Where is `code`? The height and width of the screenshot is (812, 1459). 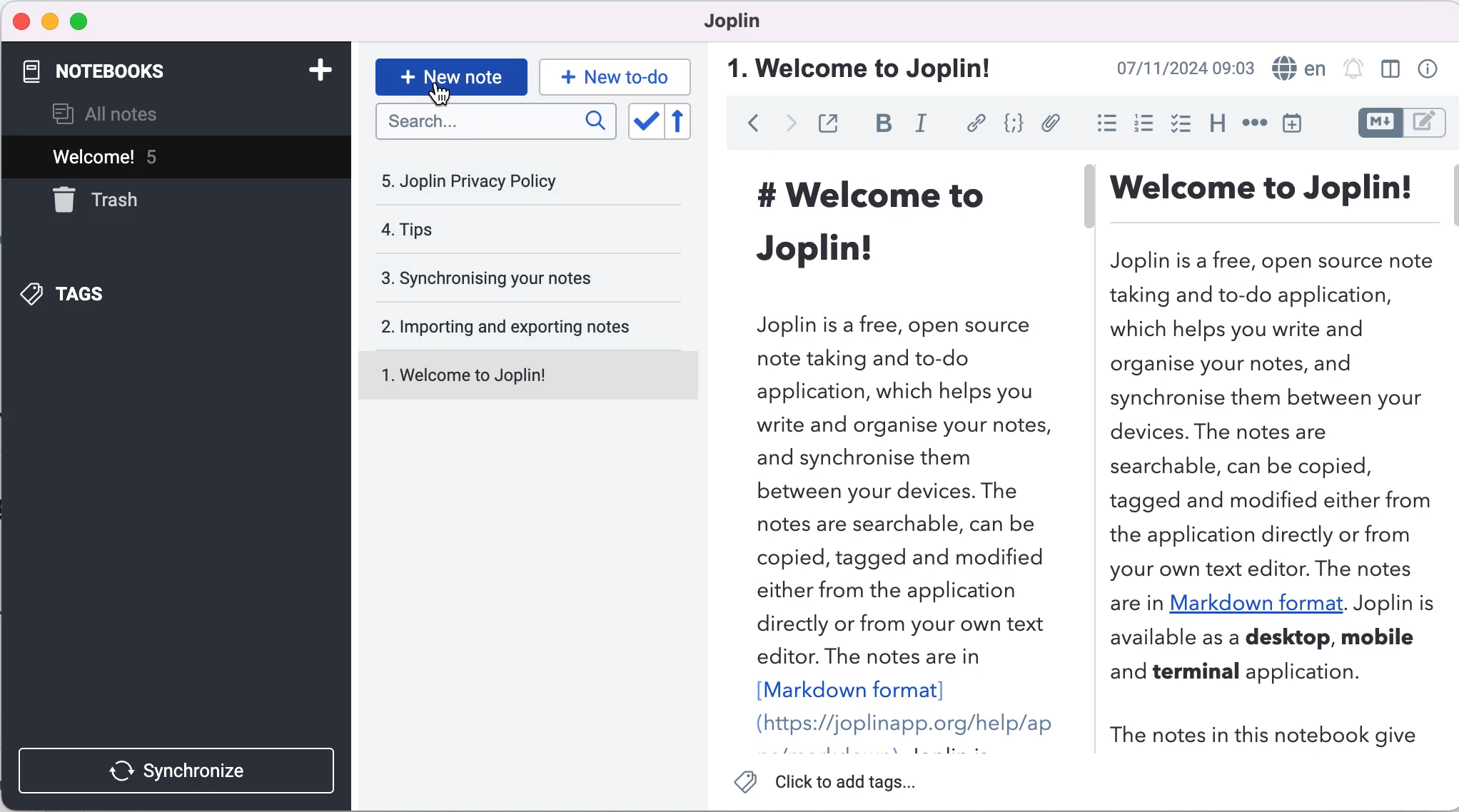 code is located at coordinates (1014, 124).